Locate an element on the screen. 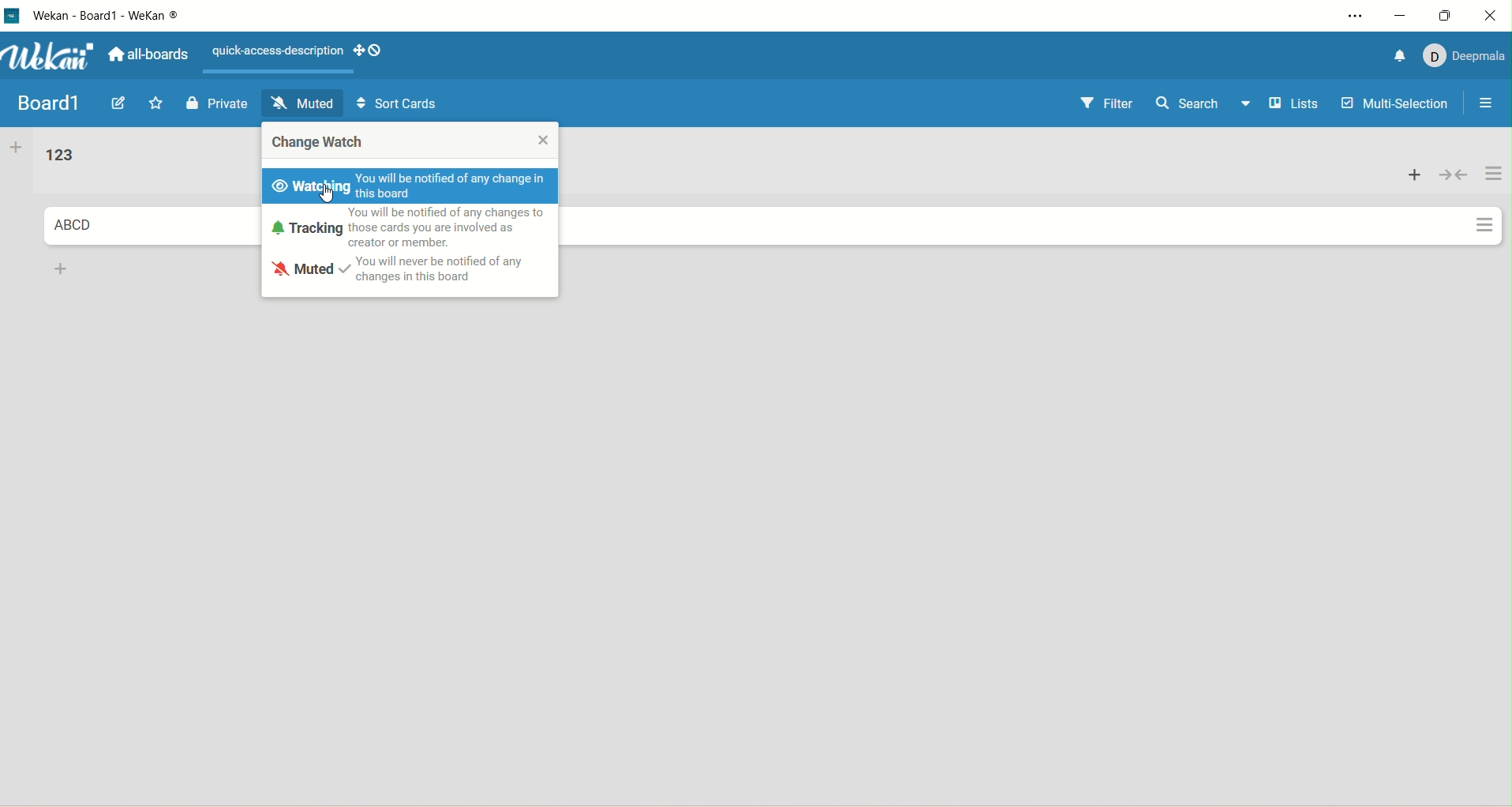 The height and width of the screenshot is (807, 1512). notification is located at coordinates (1398, 55).